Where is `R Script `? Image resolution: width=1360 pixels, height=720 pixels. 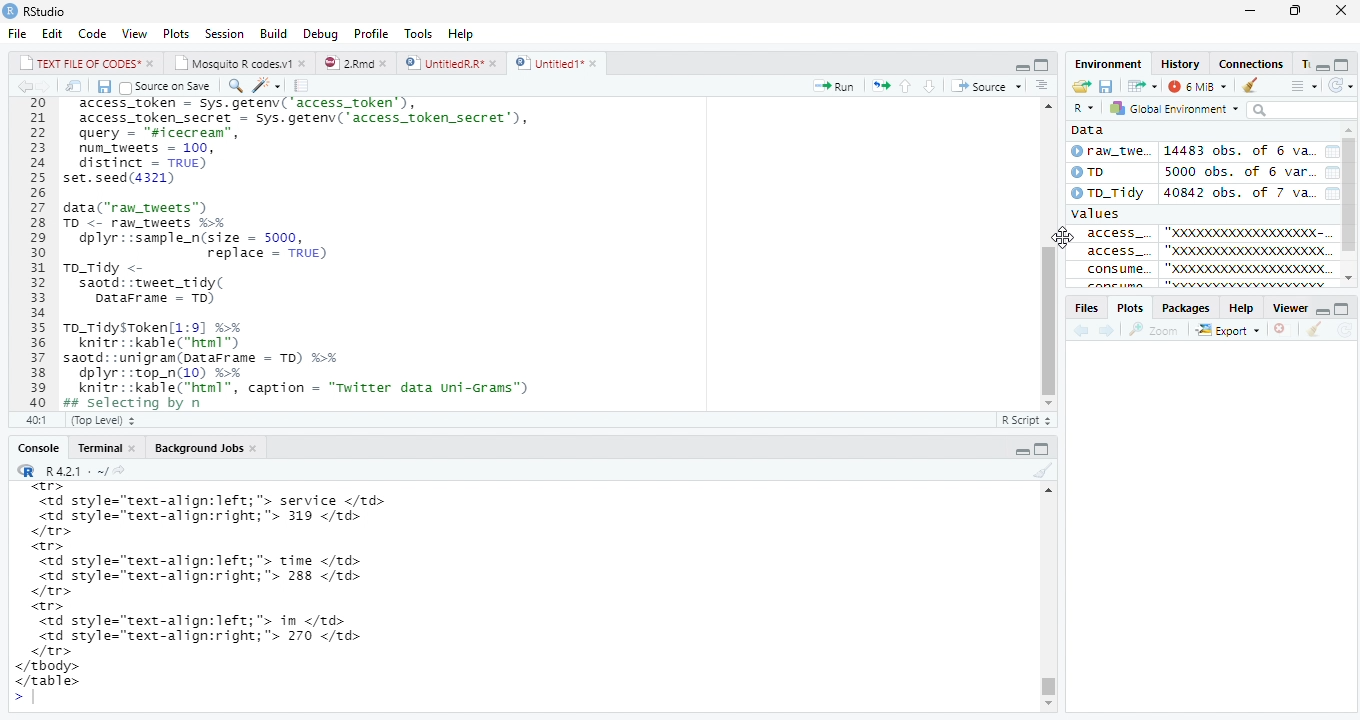
R Script  is located at coordinates (1024, 420).